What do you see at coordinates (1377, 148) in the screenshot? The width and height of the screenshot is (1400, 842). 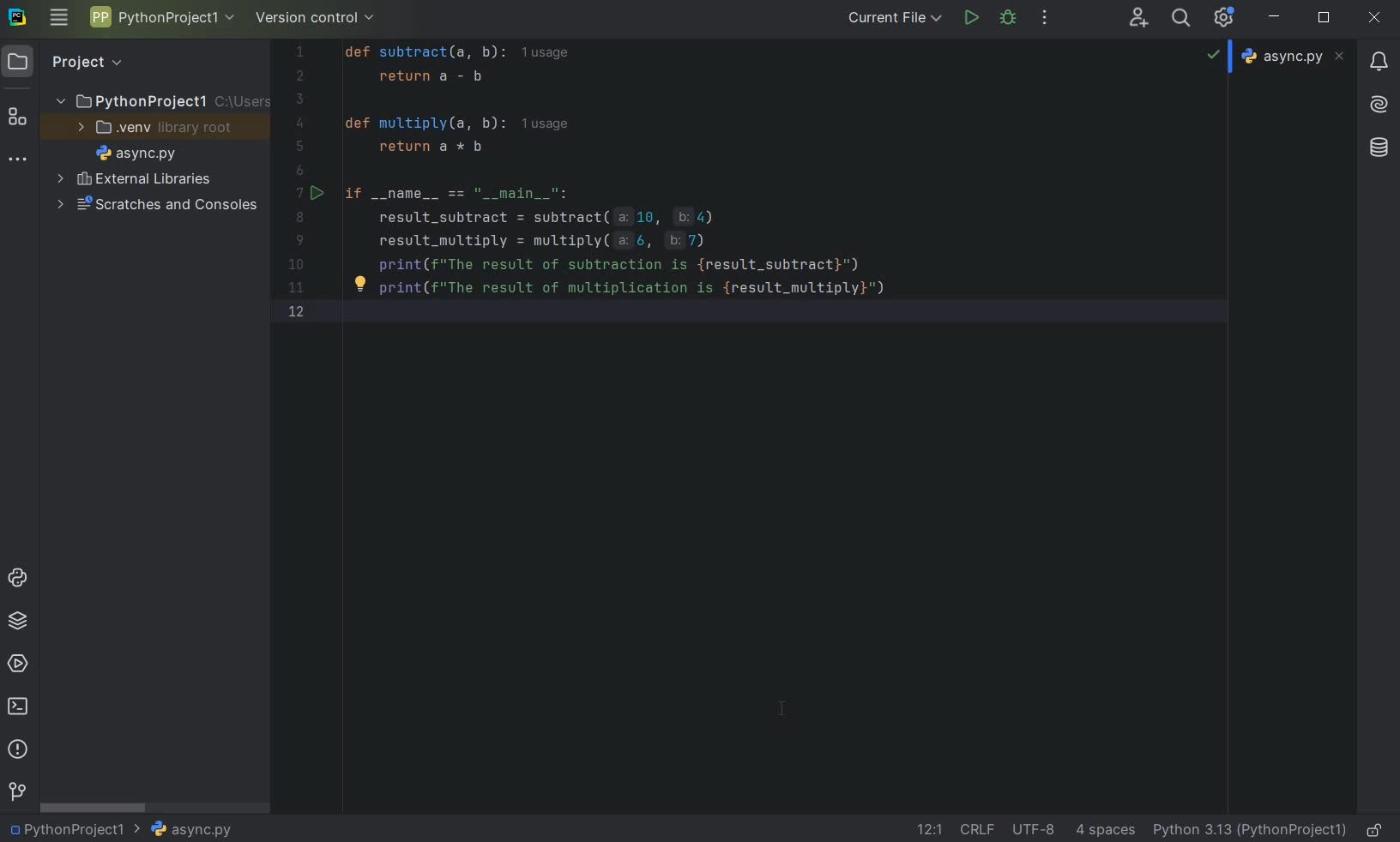 I see `` at bounding box center [1377, 148].